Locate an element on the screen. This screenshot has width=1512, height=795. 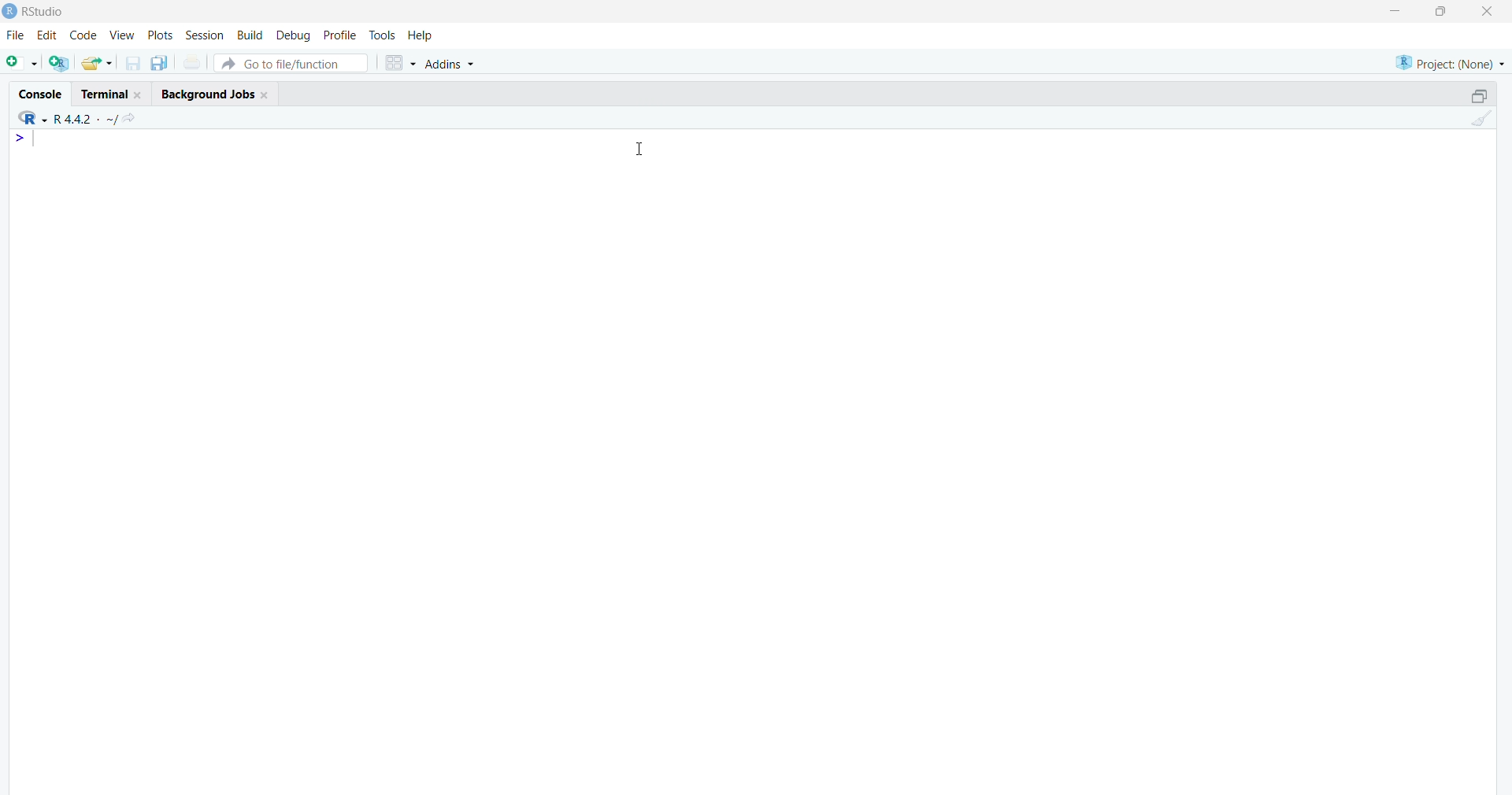
debug is located at coordinates (294, 35).